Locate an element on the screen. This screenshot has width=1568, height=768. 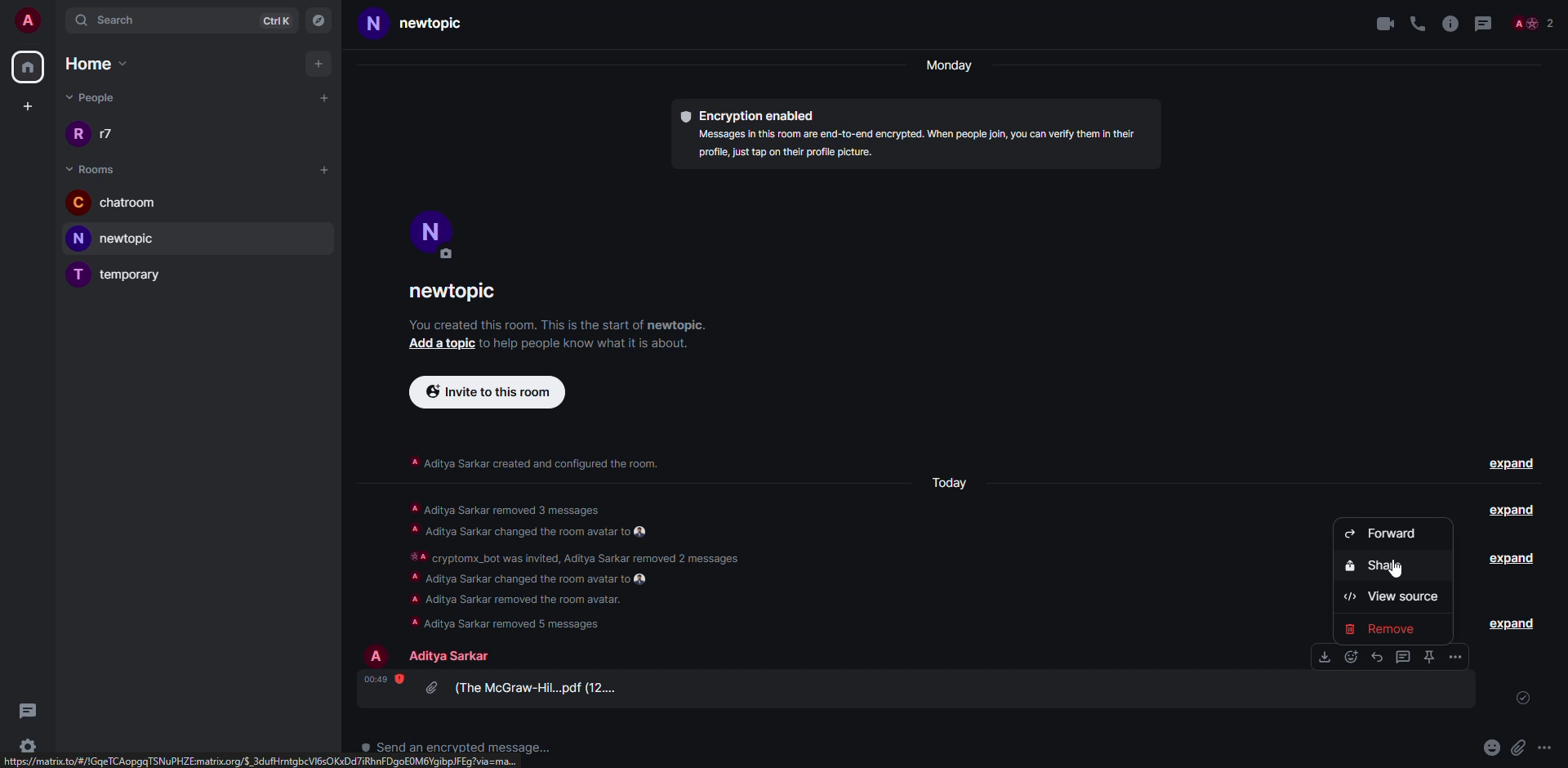
info is located at coordinates (1450, 23).